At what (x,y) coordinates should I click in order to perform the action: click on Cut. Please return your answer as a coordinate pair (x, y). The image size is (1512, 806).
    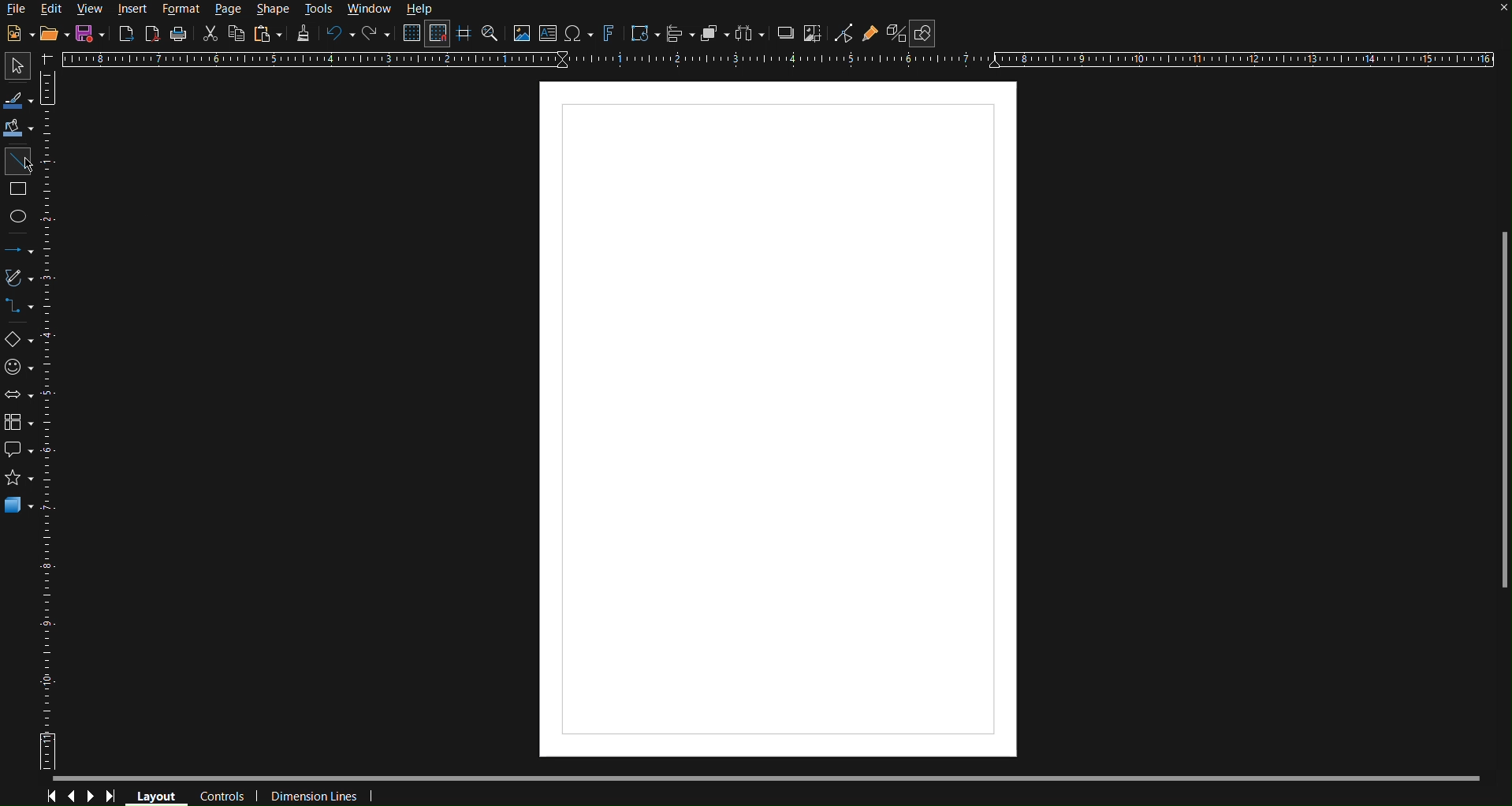
    Looking at the image, I should click on (210, 34).